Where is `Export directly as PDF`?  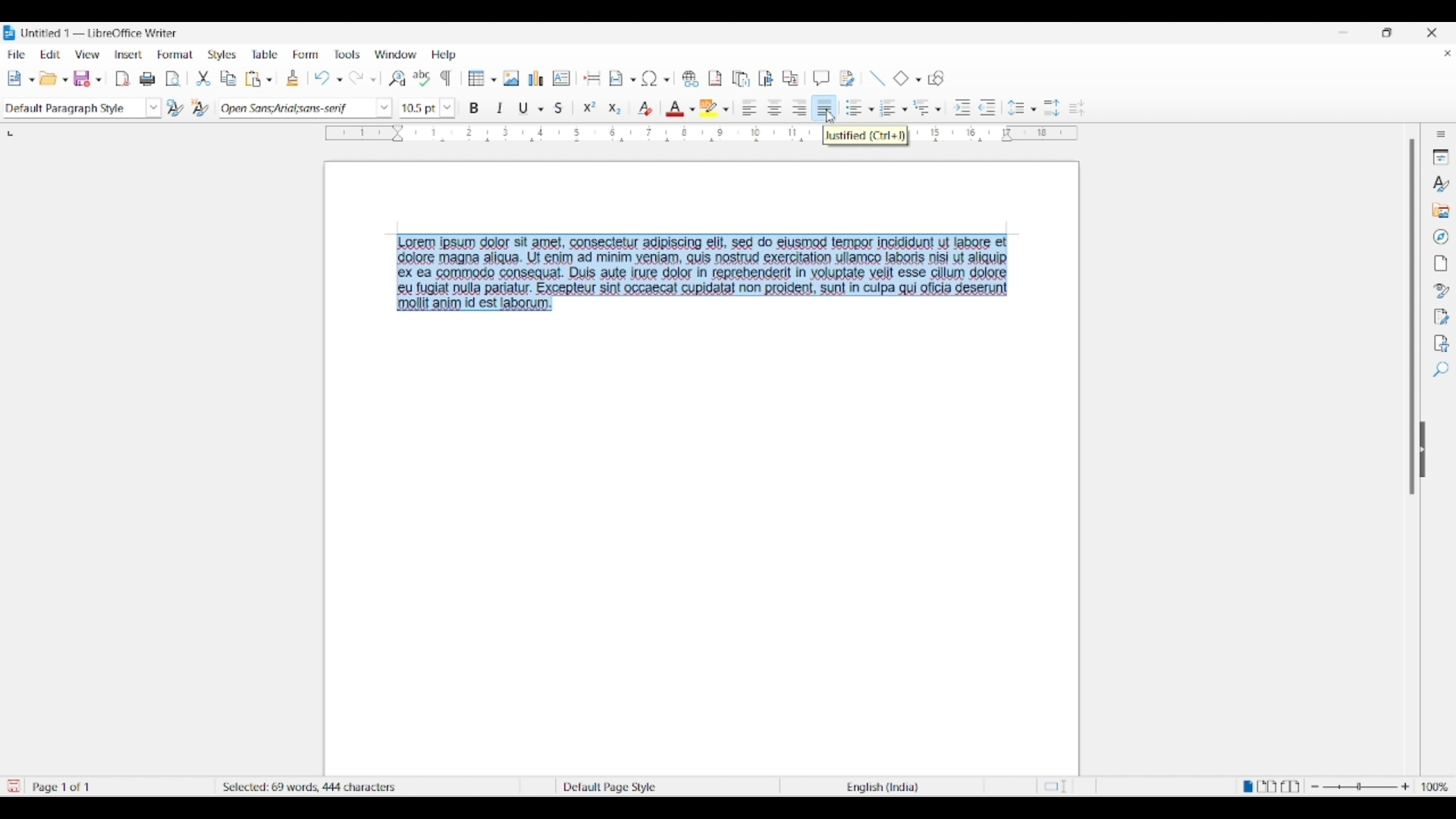 Export directly as PDF is located at coordinates (123, 79).